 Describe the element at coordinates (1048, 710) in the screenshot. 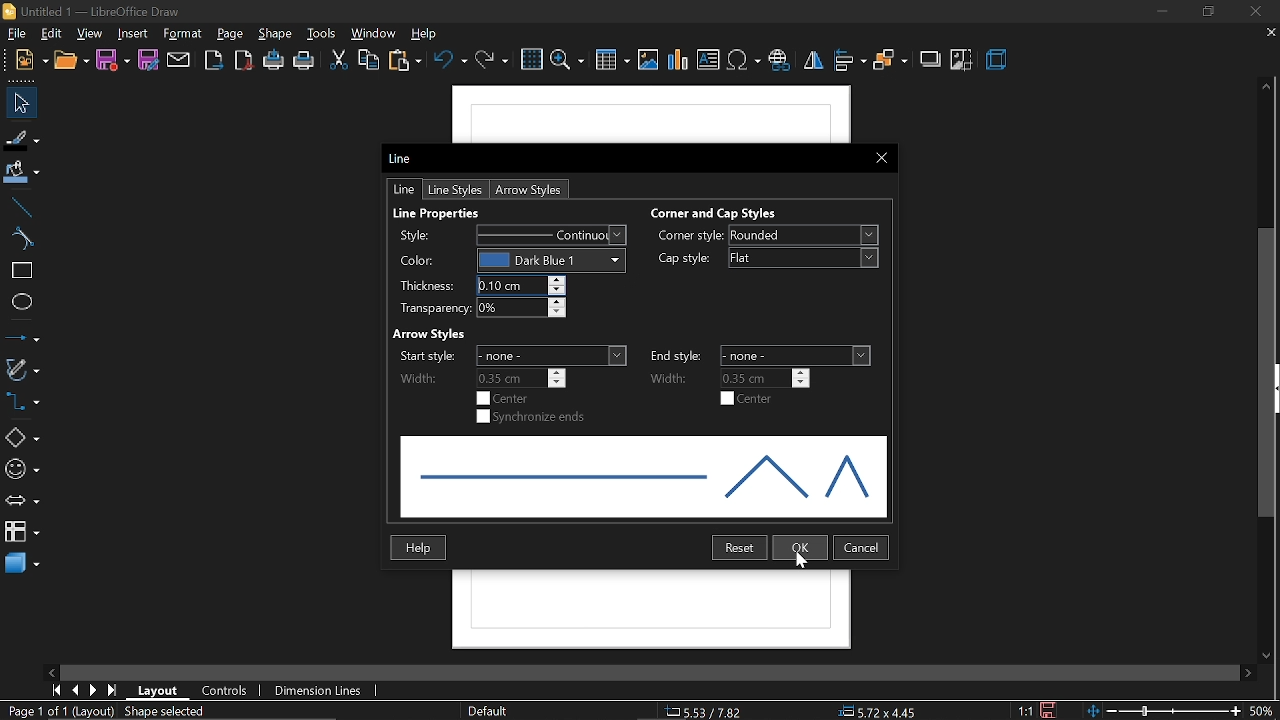

I see `save` at that location.